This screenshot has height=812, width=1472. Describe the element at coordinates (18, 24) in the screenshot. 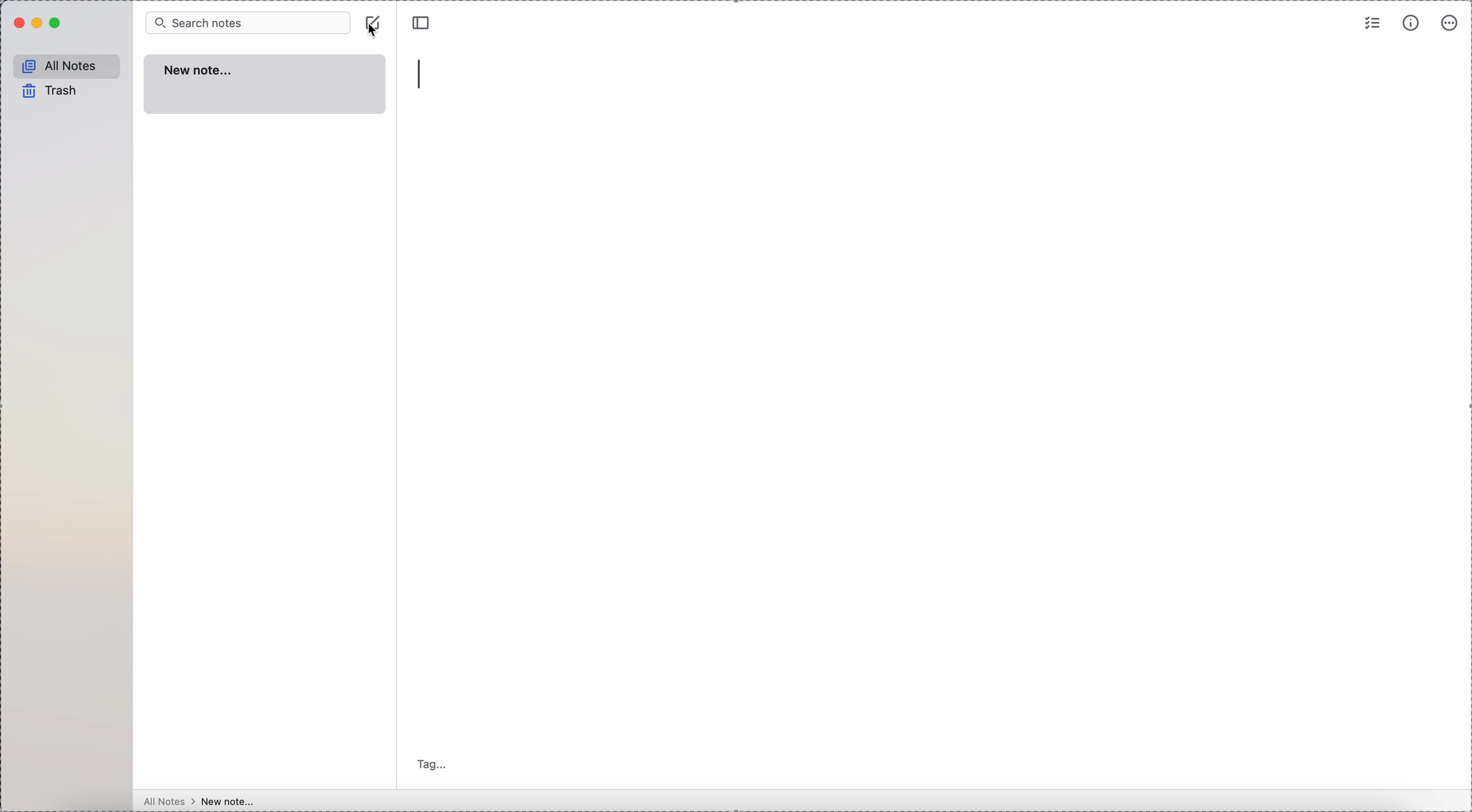

I see `close Simplenote` at that location.